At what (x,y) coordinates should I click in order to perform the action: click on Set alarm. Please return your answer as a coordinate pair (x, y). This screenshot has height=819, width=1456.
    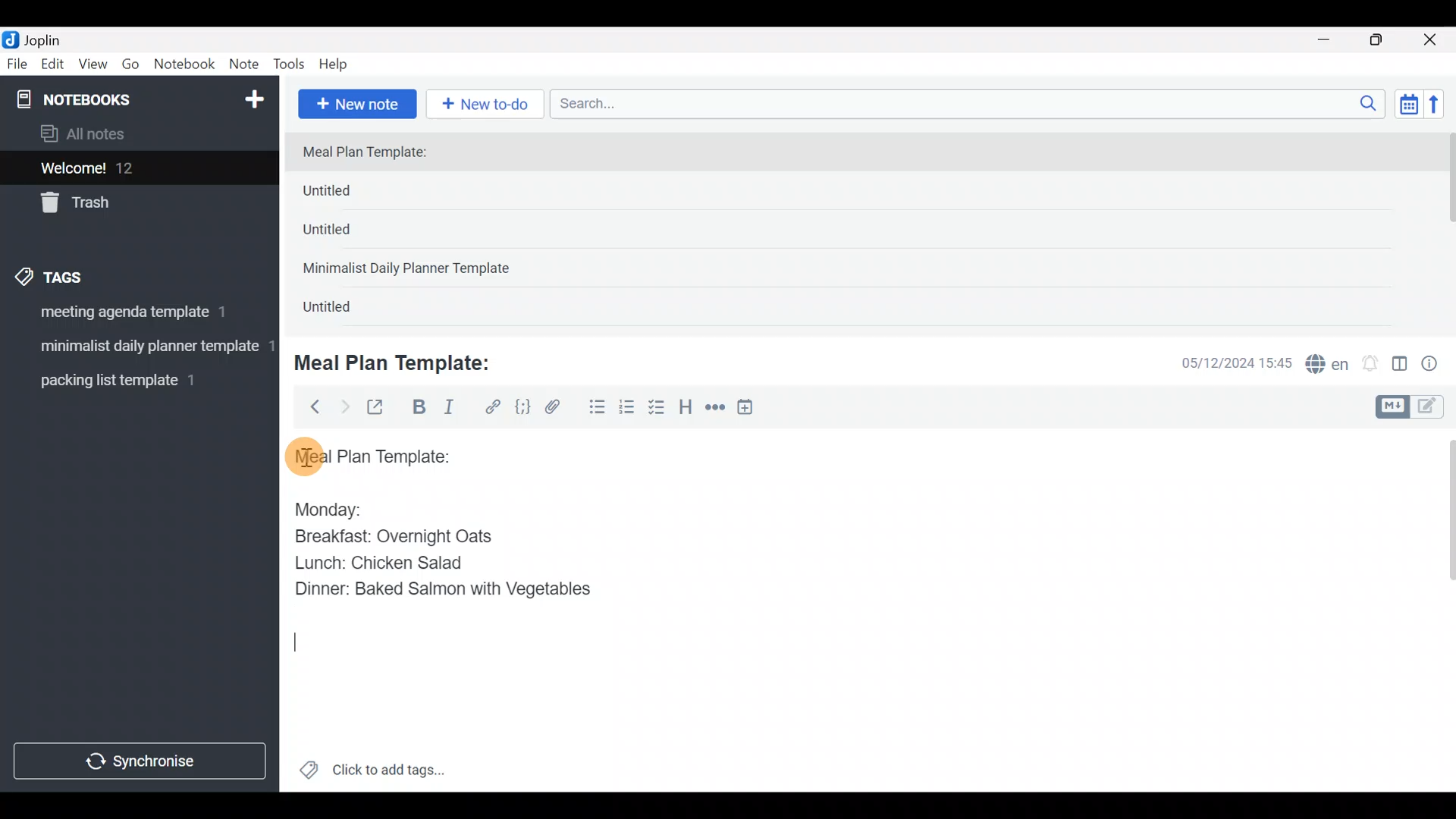
    Looking at the image, I should click on (1371, 365).